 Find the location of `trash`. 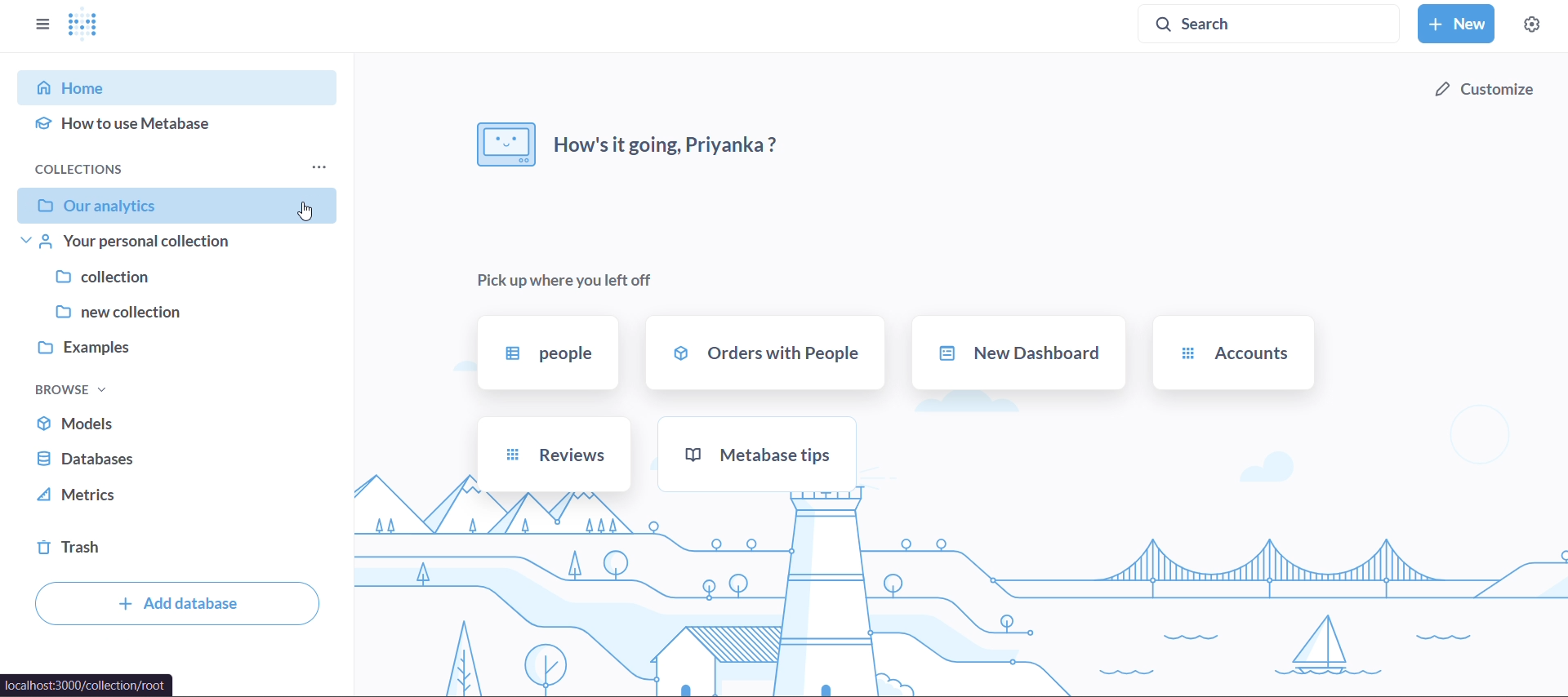

trash is located at coordinates (156, 551).